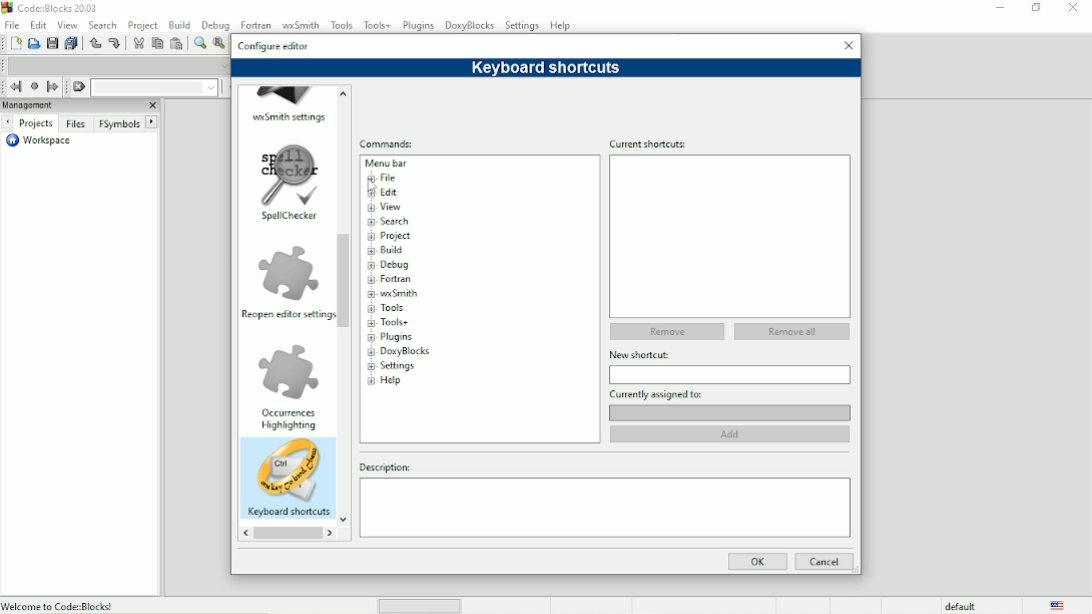 The width and height of the screenshot is (1092, 614). Describe the element at coordinates (51, 43) in the screenshot. I see `Save` at that location.